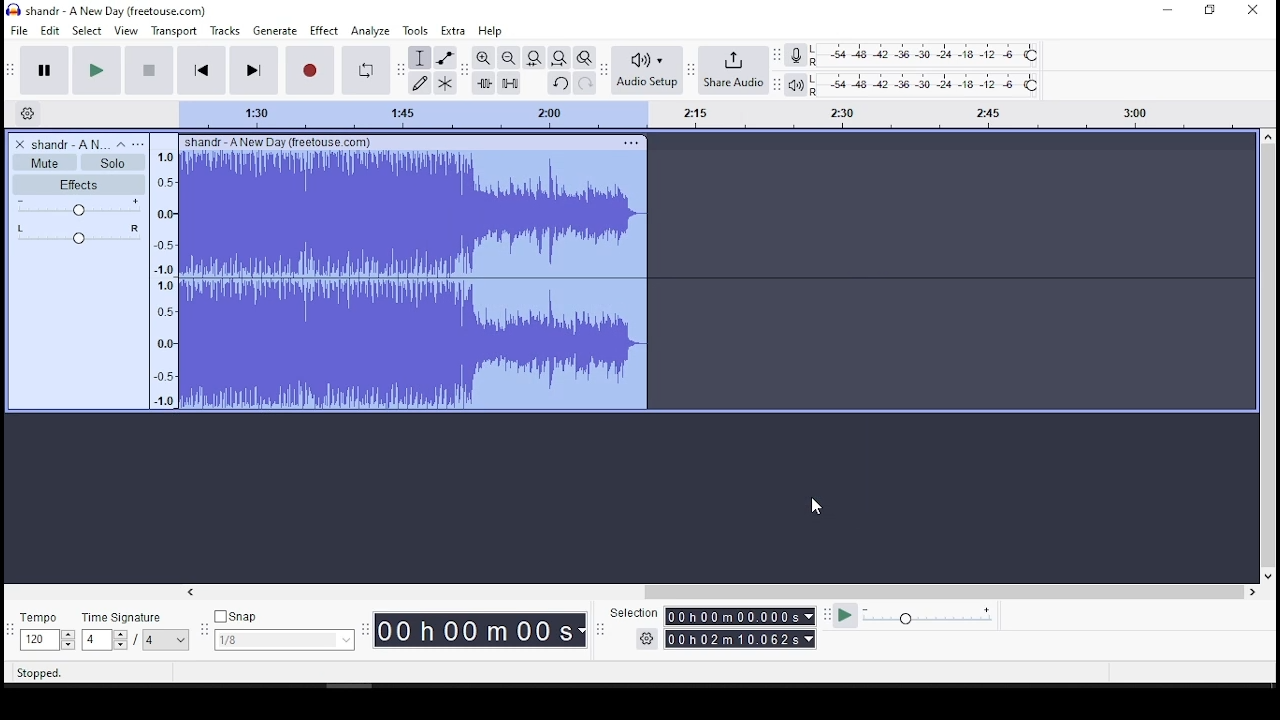  What do you see at coordinates (508, 57) in the screenshot?
I see `zoom in` at bounding box center [508, 57].